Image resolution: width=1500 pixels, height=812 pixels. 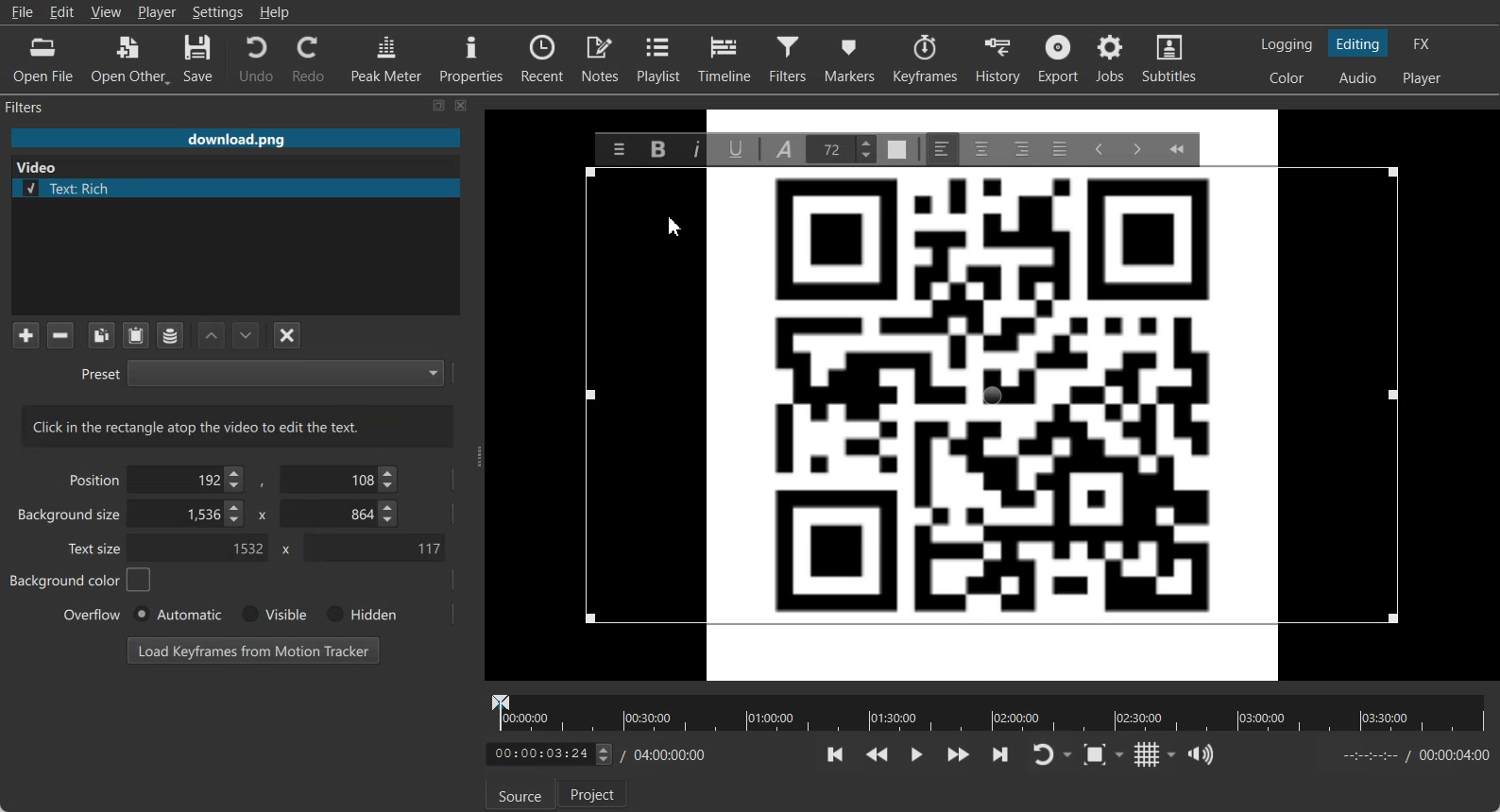 What do you see at coordinates (925, 58) in the screenshot?
I see `Keyframes` at bounding box center [925, 58].